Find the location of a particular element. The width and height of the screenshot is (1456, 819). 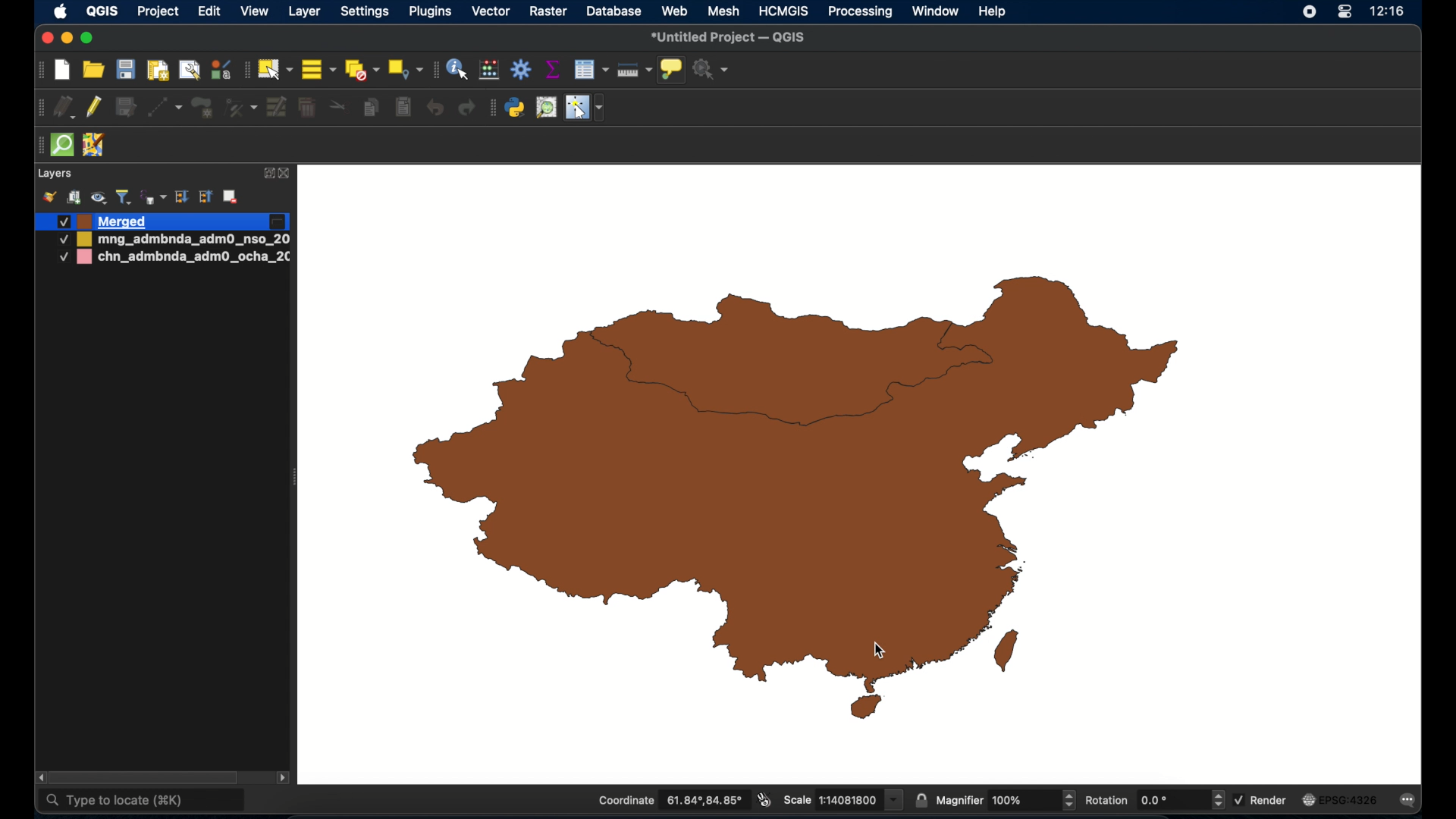

undo is located at coordinates (436, 108).